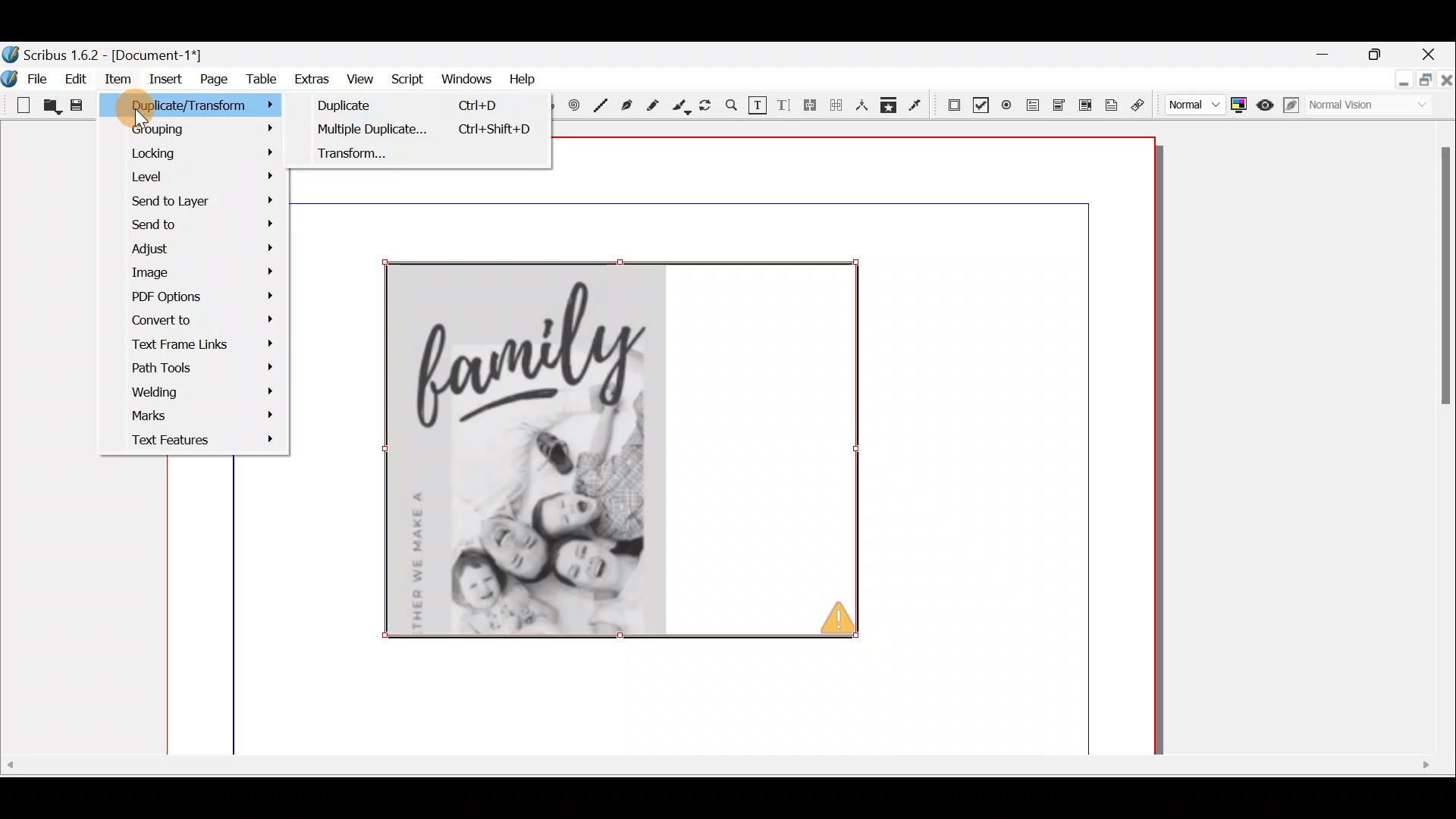 This screenshot has height=819, width=1456. What do you see at coordinates (1423, 83) in the screenshot?
I see `Maximise` at bounding box center [1423, 83].